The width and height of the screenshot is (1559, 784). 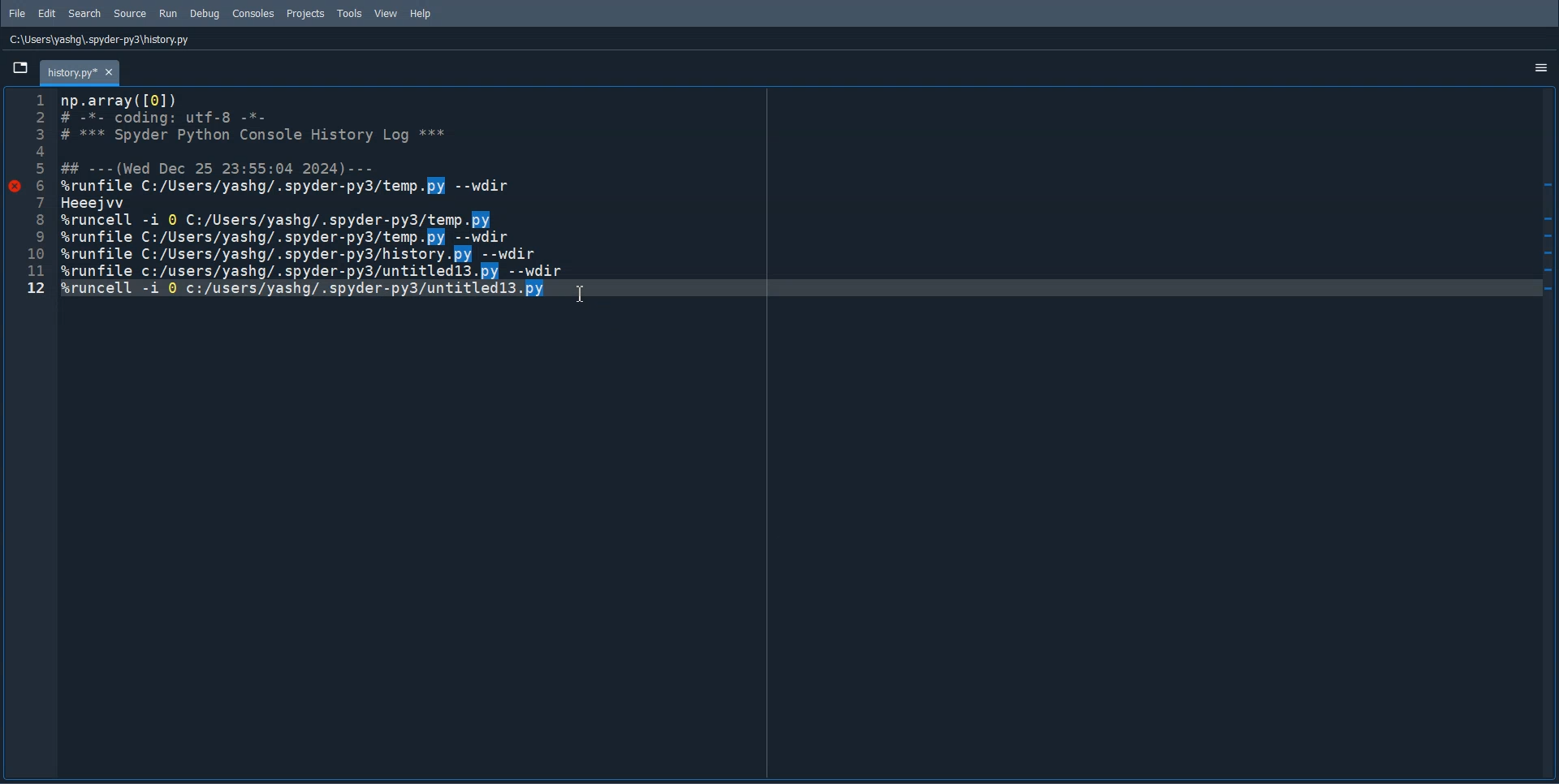 What do you see at coordinates (33, 194) in the screenshot?
I see `Line Number` at bounding box center [33, 194].